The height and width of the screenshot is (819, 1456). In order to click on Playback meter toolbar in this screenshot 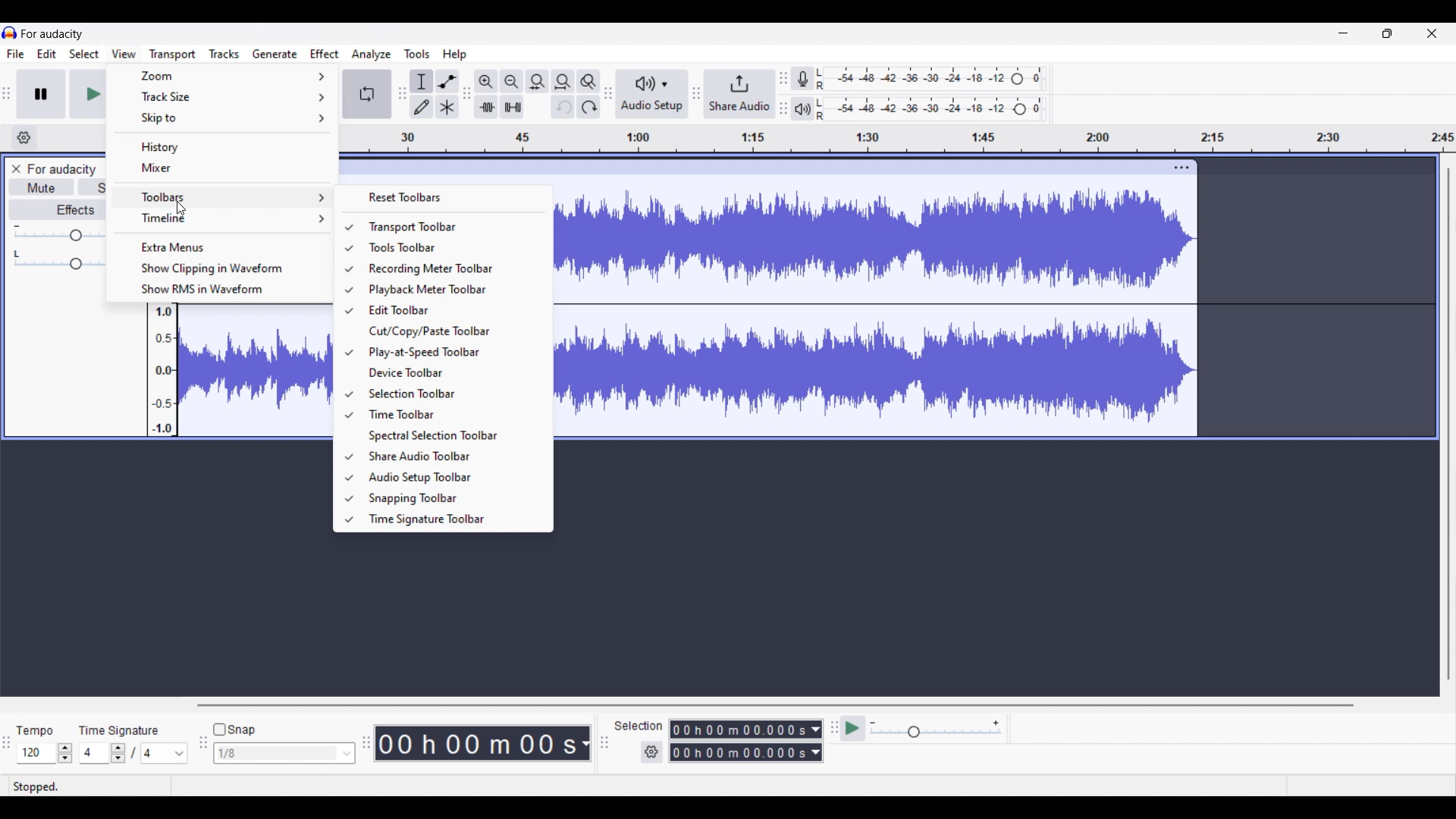, I will do `click(452, 290)`.